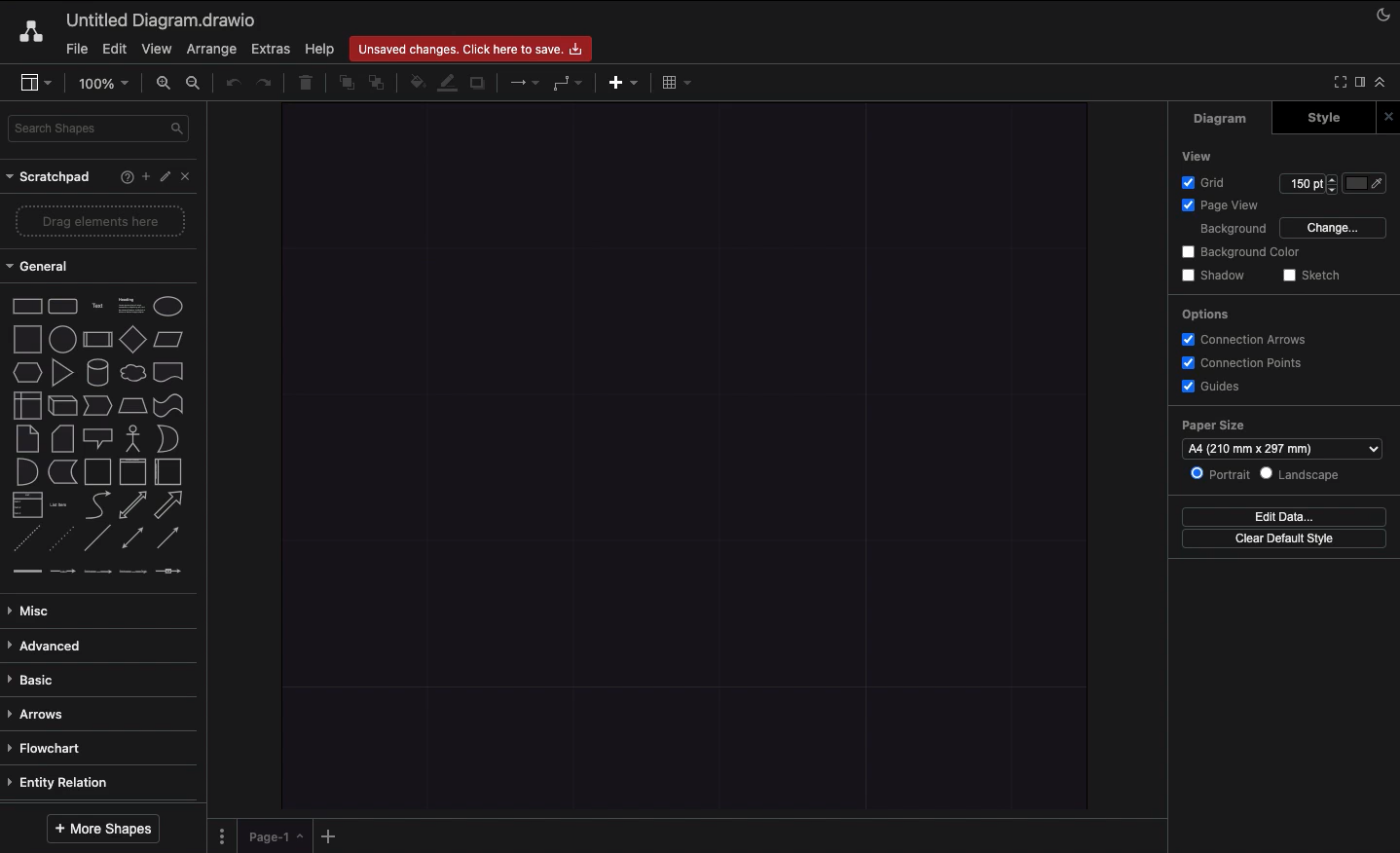 Image resolution: width=1400 pixels, height=853 pixels. What do you see at coordinates (36, 611) in the screenshot?
I see `Misc` at bounding box center [36, 611].